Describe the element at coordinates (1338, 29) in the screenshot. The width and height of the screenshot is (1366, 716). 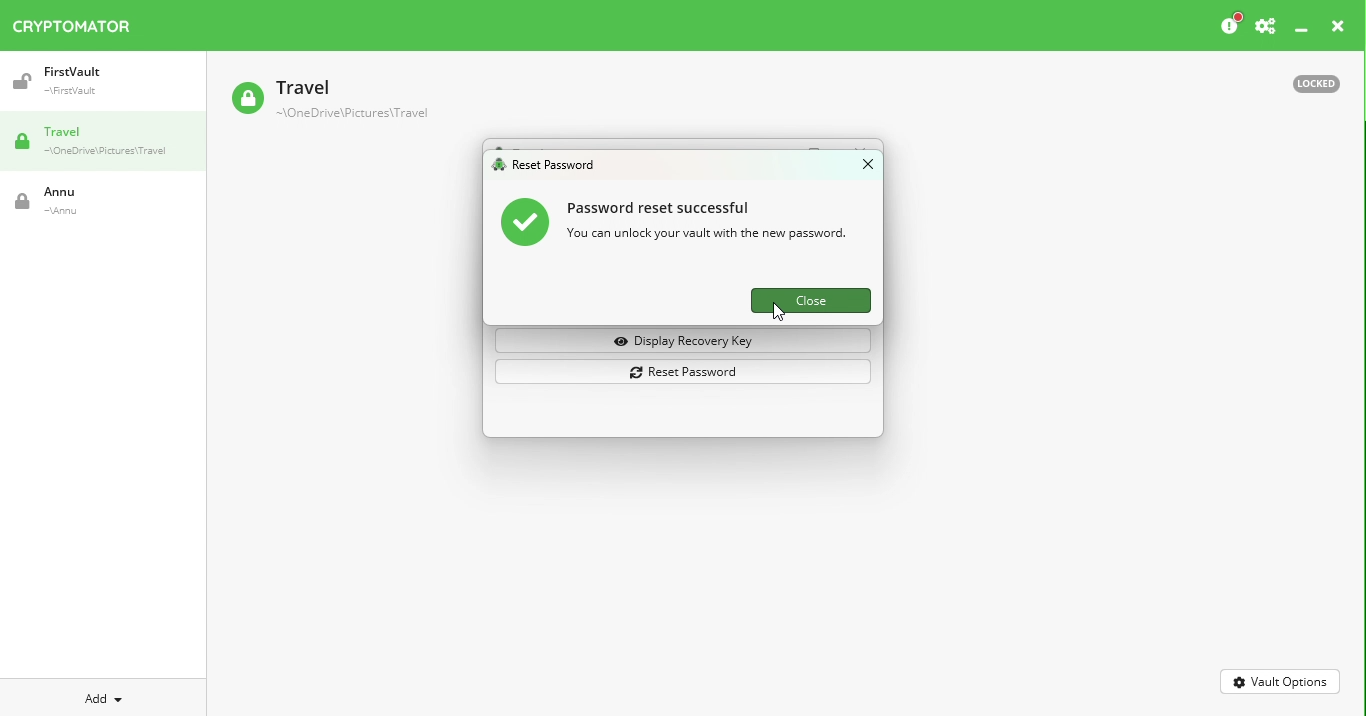
I see `Close` at that location.